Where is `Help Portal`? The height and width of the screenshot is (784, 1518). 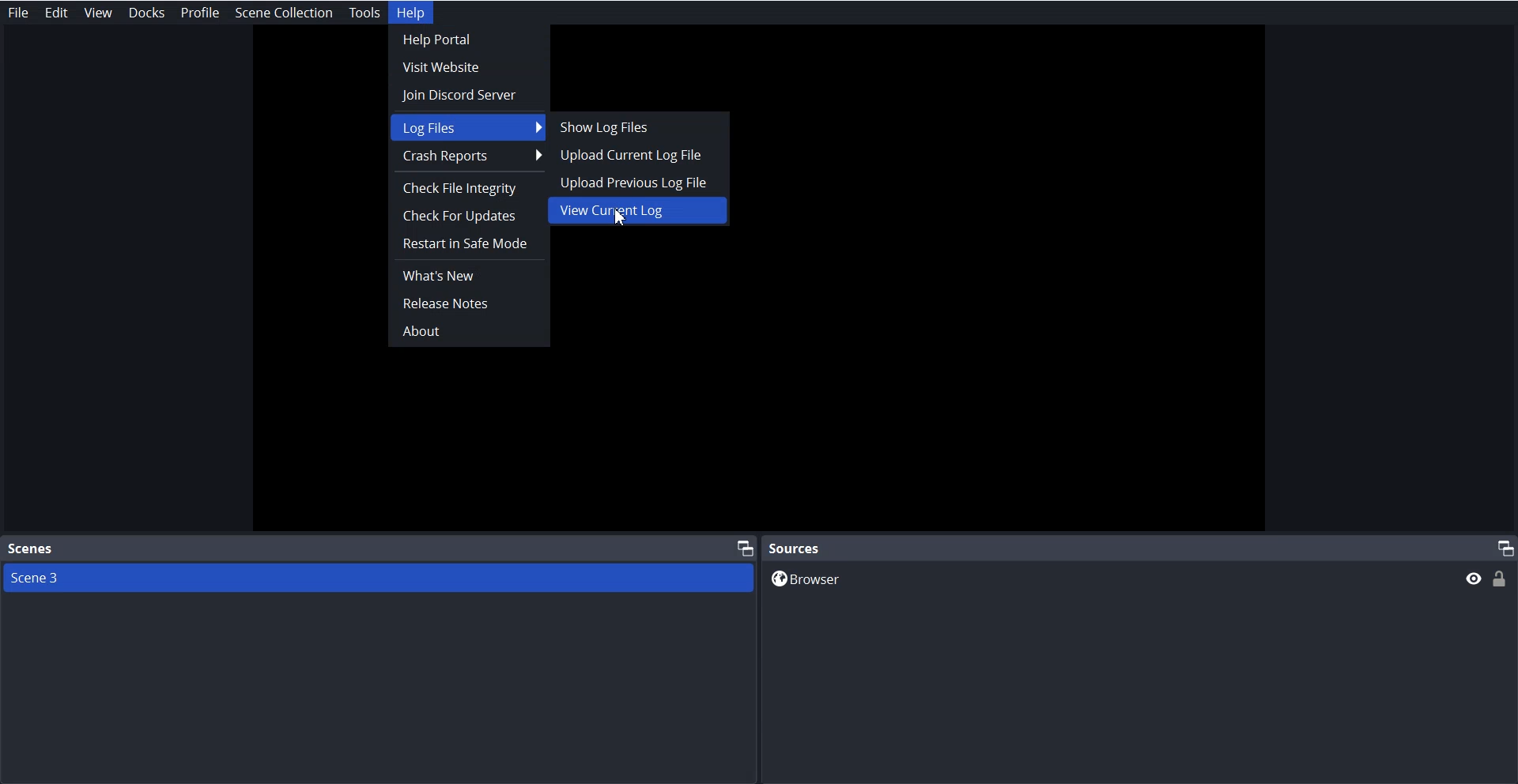
Help Portal is located at coordinates (467, 40).